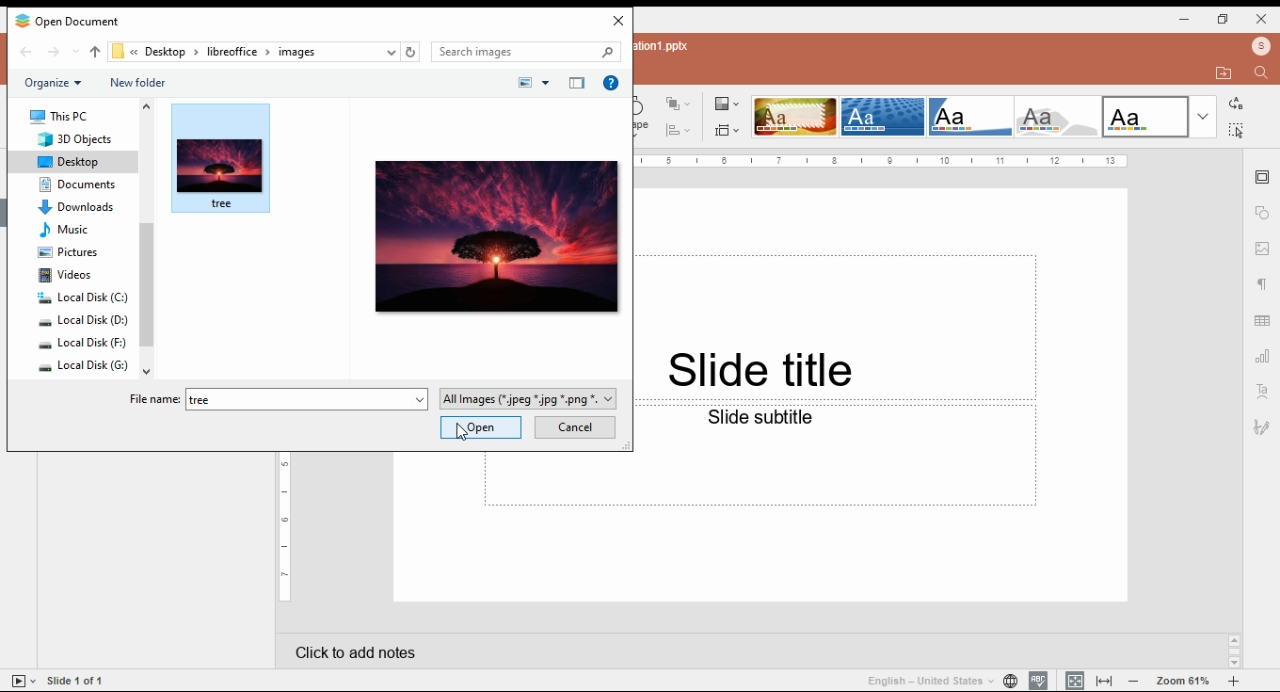  Describe the element at coordinates (611, 83) in the screenshot. I see `get help` at that location.